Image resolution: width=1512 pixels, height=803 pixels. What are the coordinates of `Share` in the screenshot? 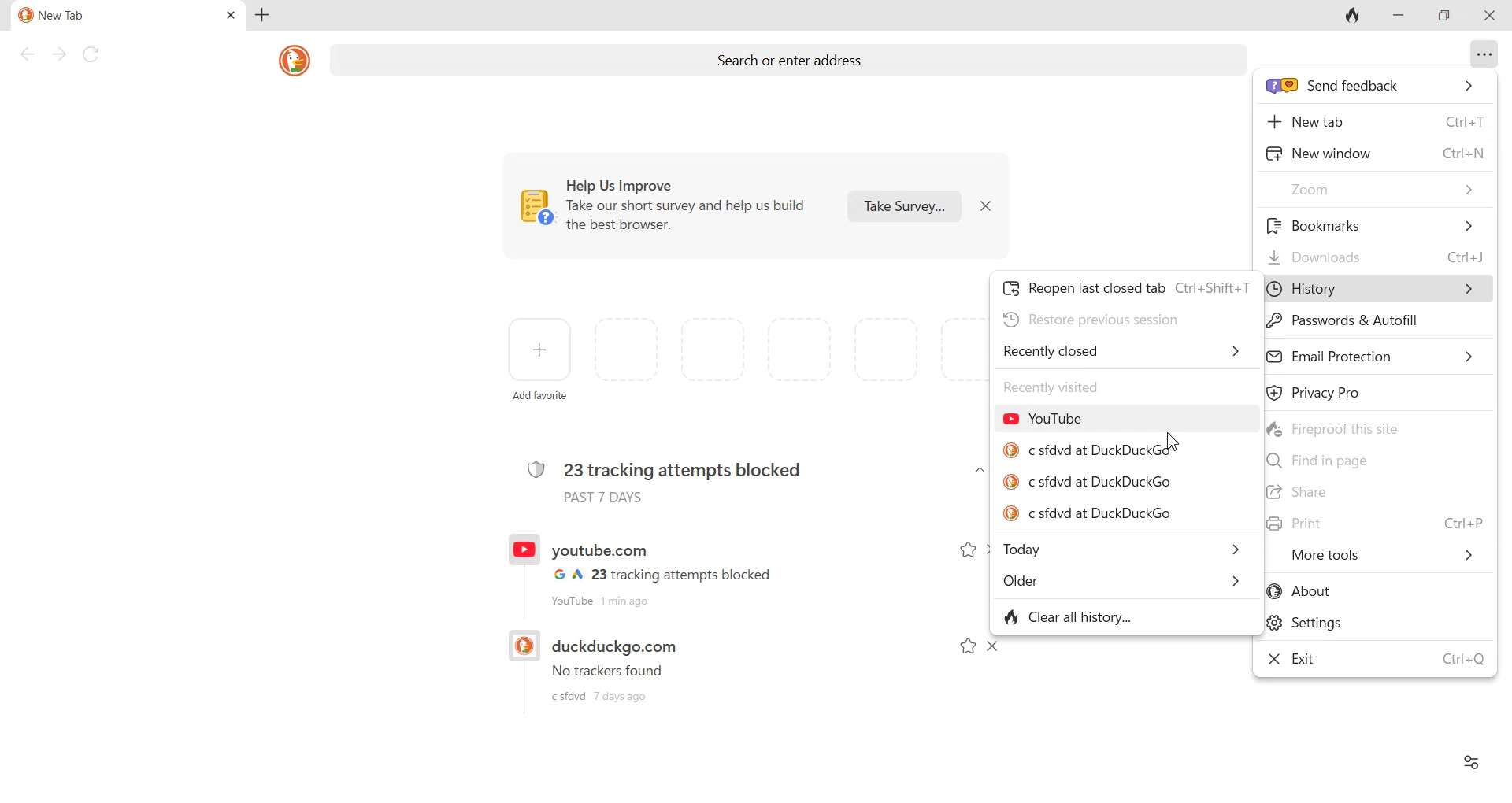 It's located at (1377, 492).